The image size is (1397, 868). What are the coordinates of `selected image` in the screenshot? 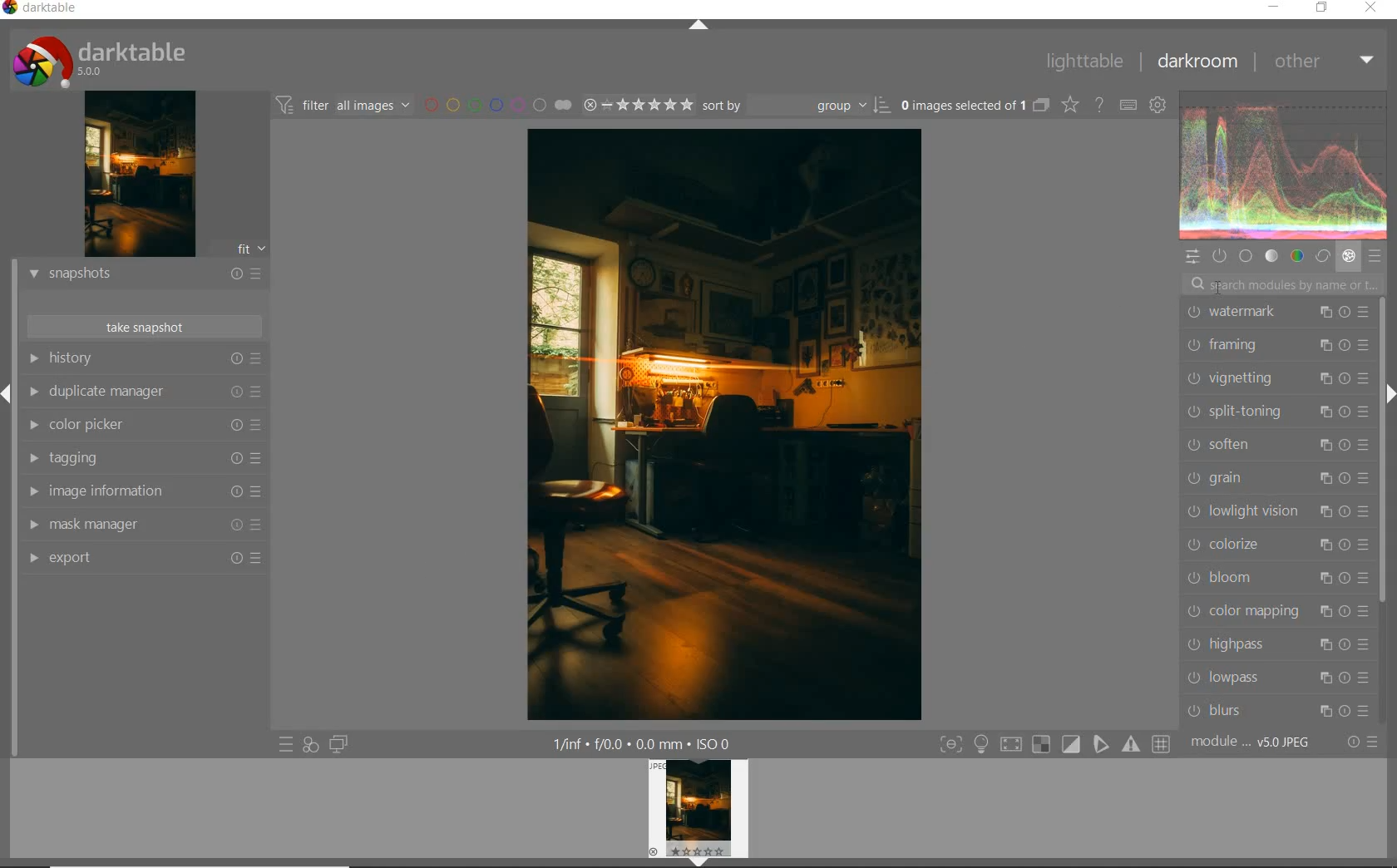 It's located at (725, 426).